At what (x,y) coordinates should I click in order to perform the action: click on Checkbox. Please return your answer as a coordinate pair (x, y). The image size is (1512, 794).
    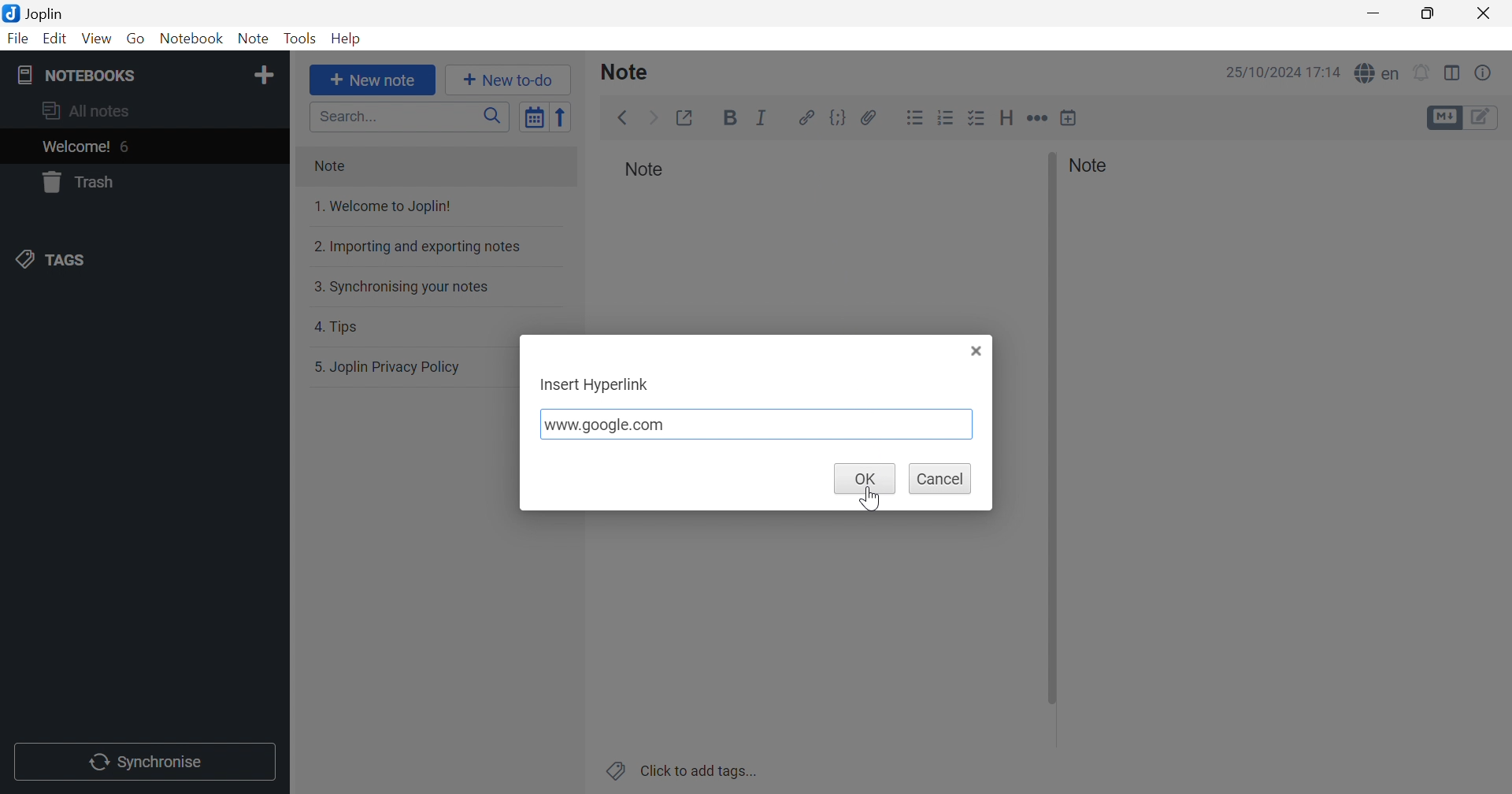
    Looking at the image, I should click on (977, 117).